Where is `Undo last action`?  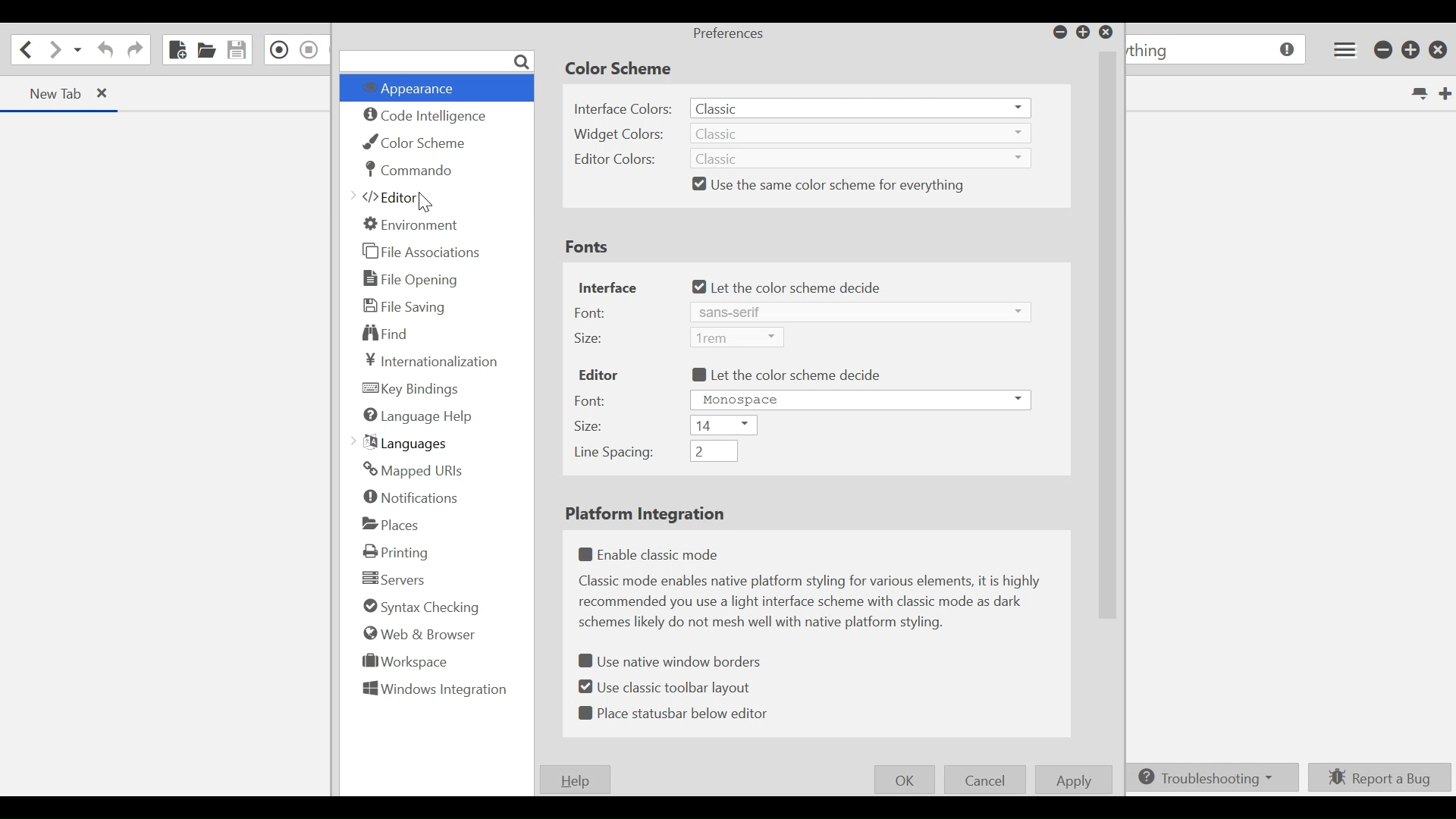 Undo last action is located at coordinates (106, 50).